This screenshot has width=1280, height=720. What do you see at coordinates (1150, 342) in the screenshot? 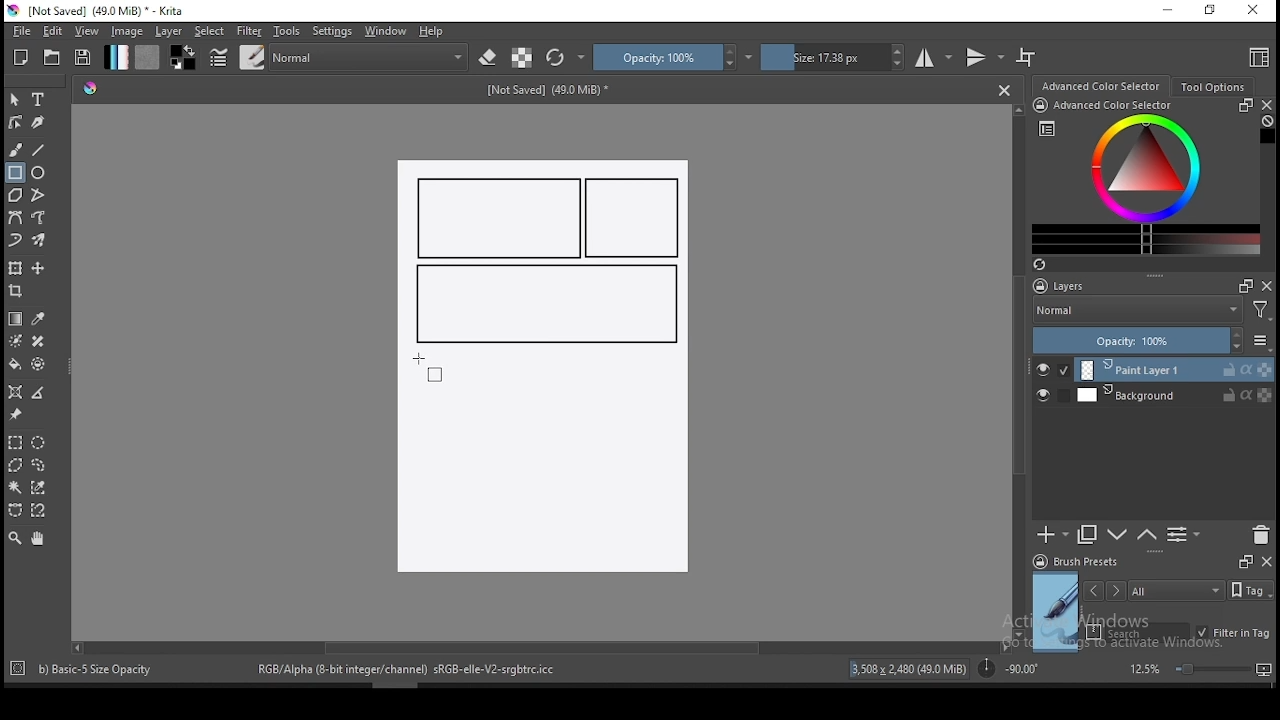
I see `opacity` at bounding box center [1150, 342].